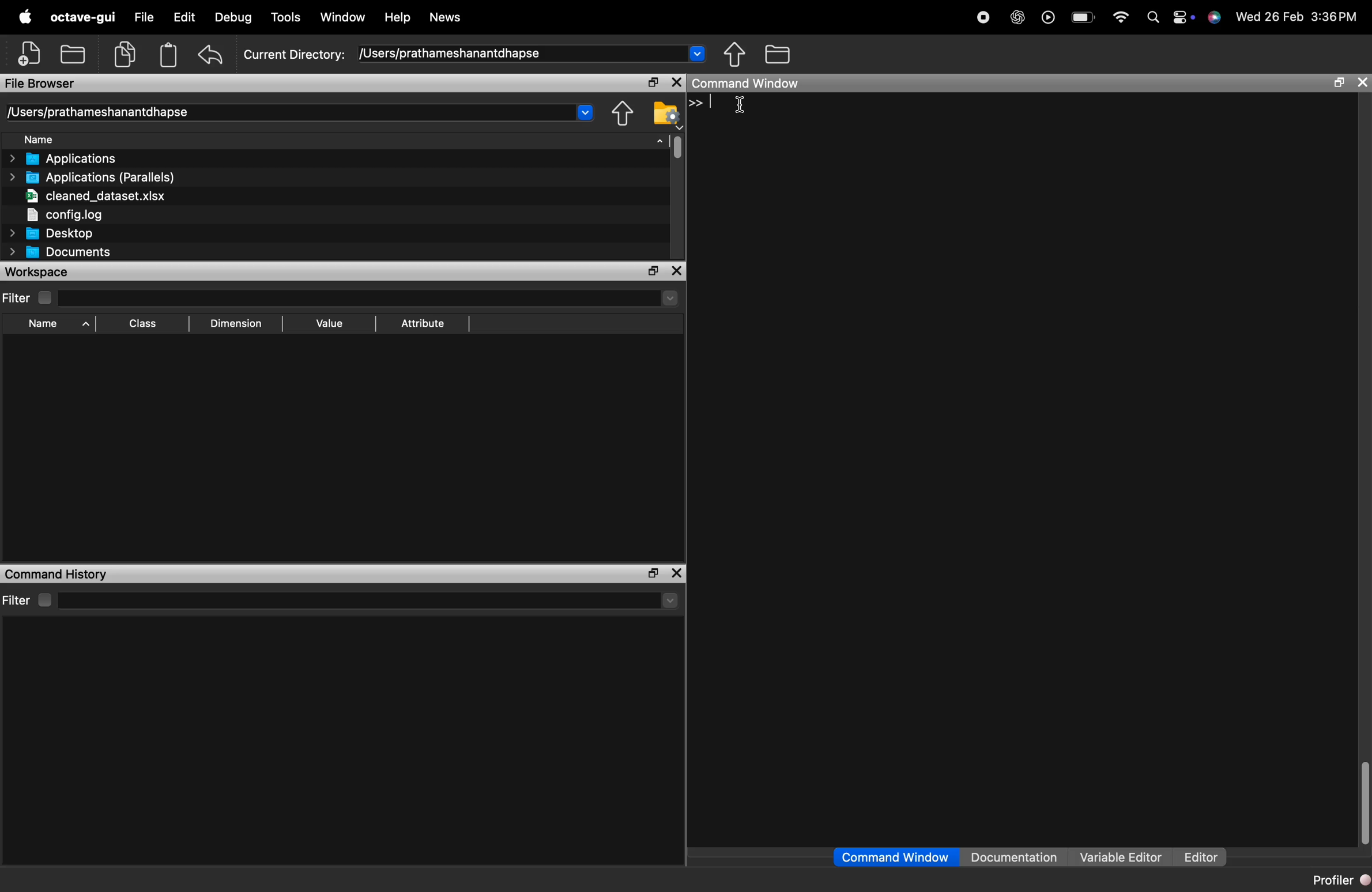  Describe the element at coordinates (738, 107) in the screenshot. I see `cursor` at that location.